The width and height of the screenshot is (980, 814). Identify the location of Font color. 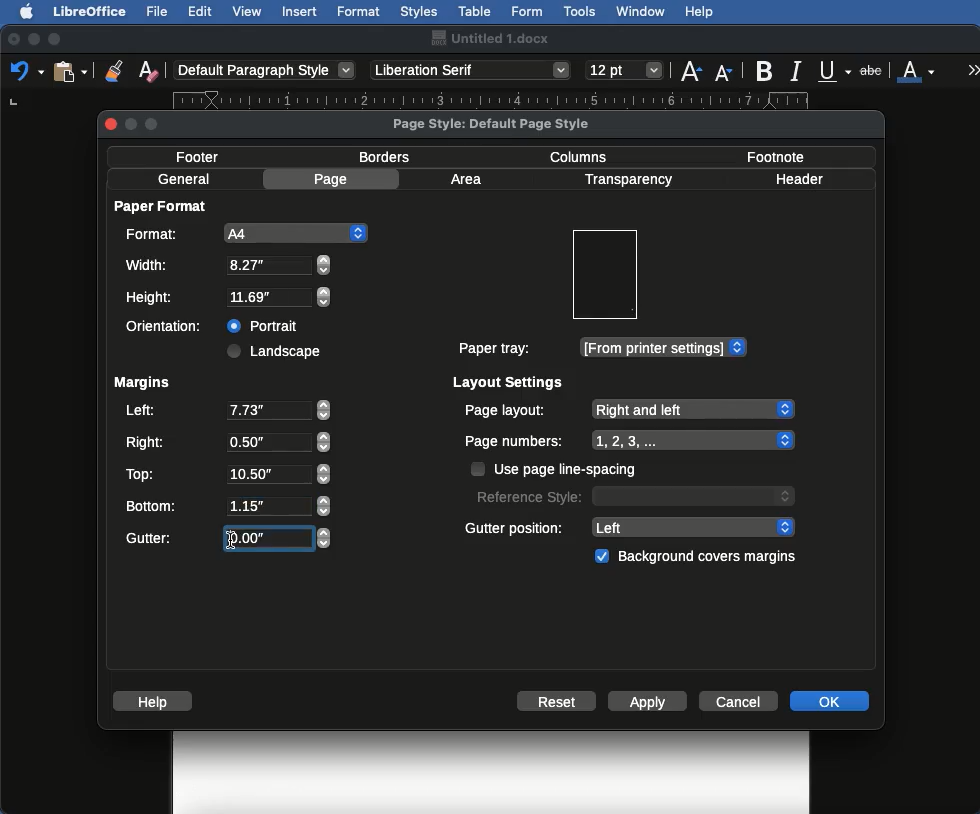
(917, 69).